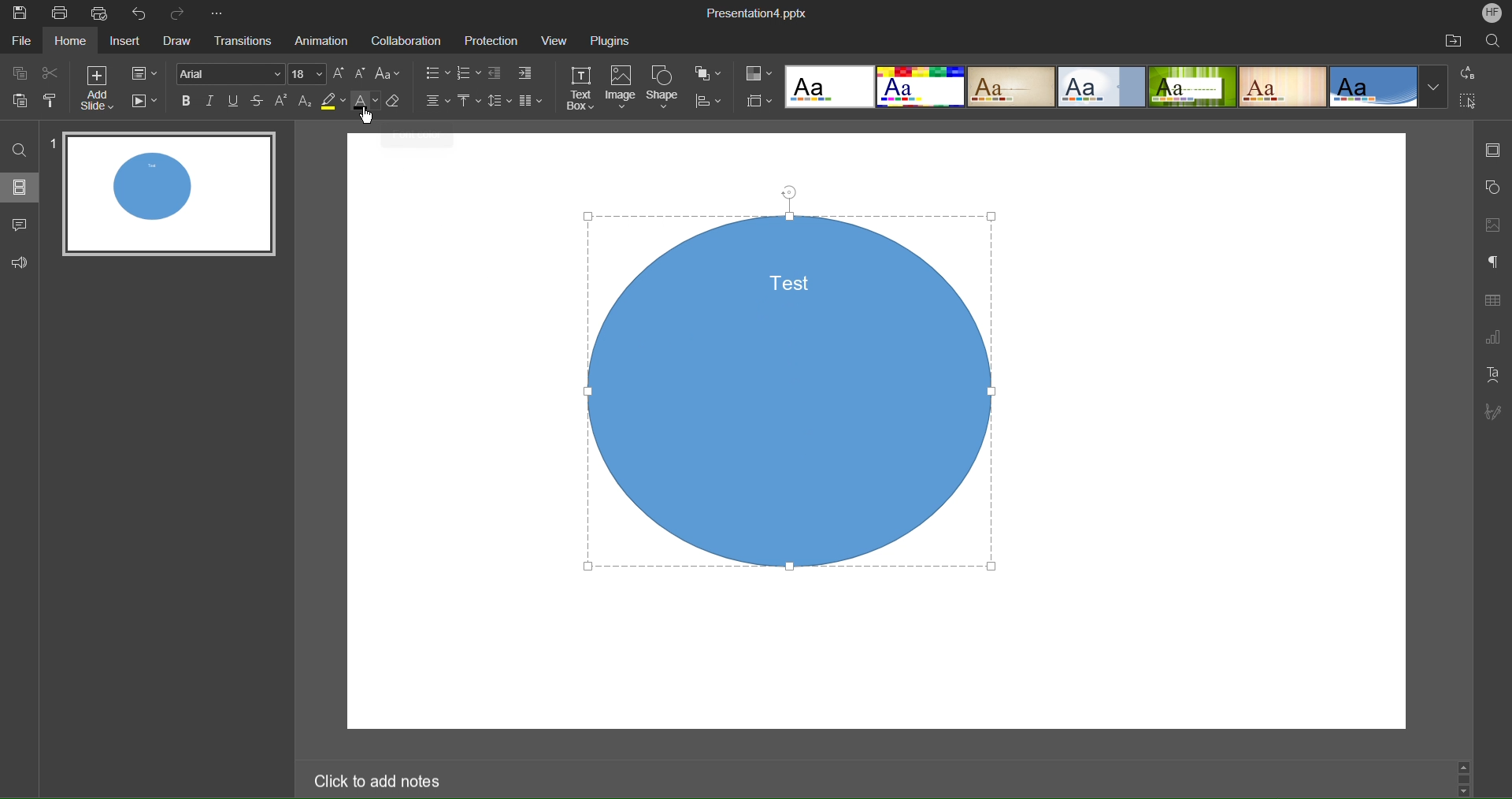  What do you see at coordinates (758, 75) in the screenshot?
I see `Color` at bounding box center [758, 75].